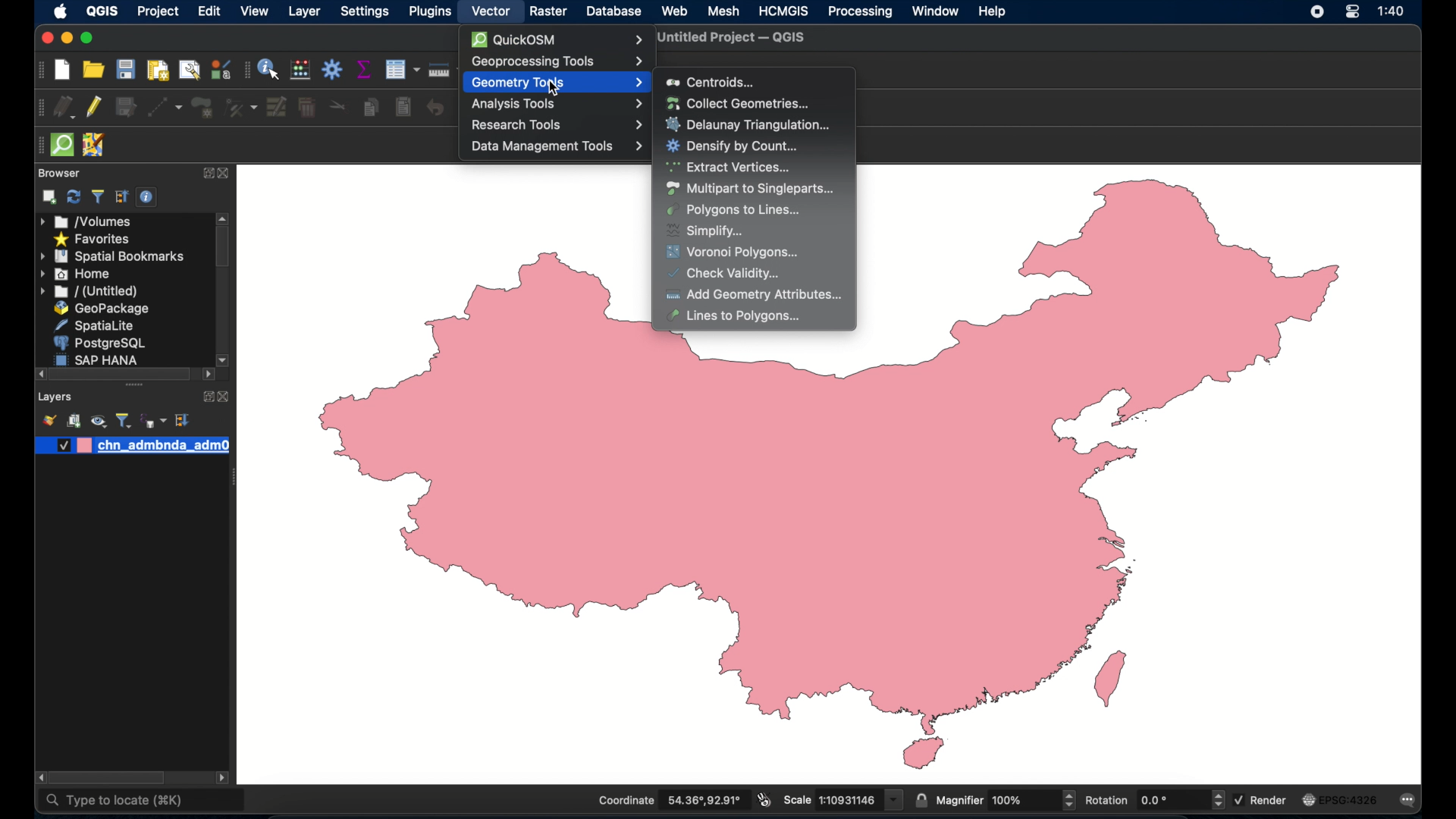 This screenshot has width=1456, height=819. I want to click on manage map theme, so click(99, 421).